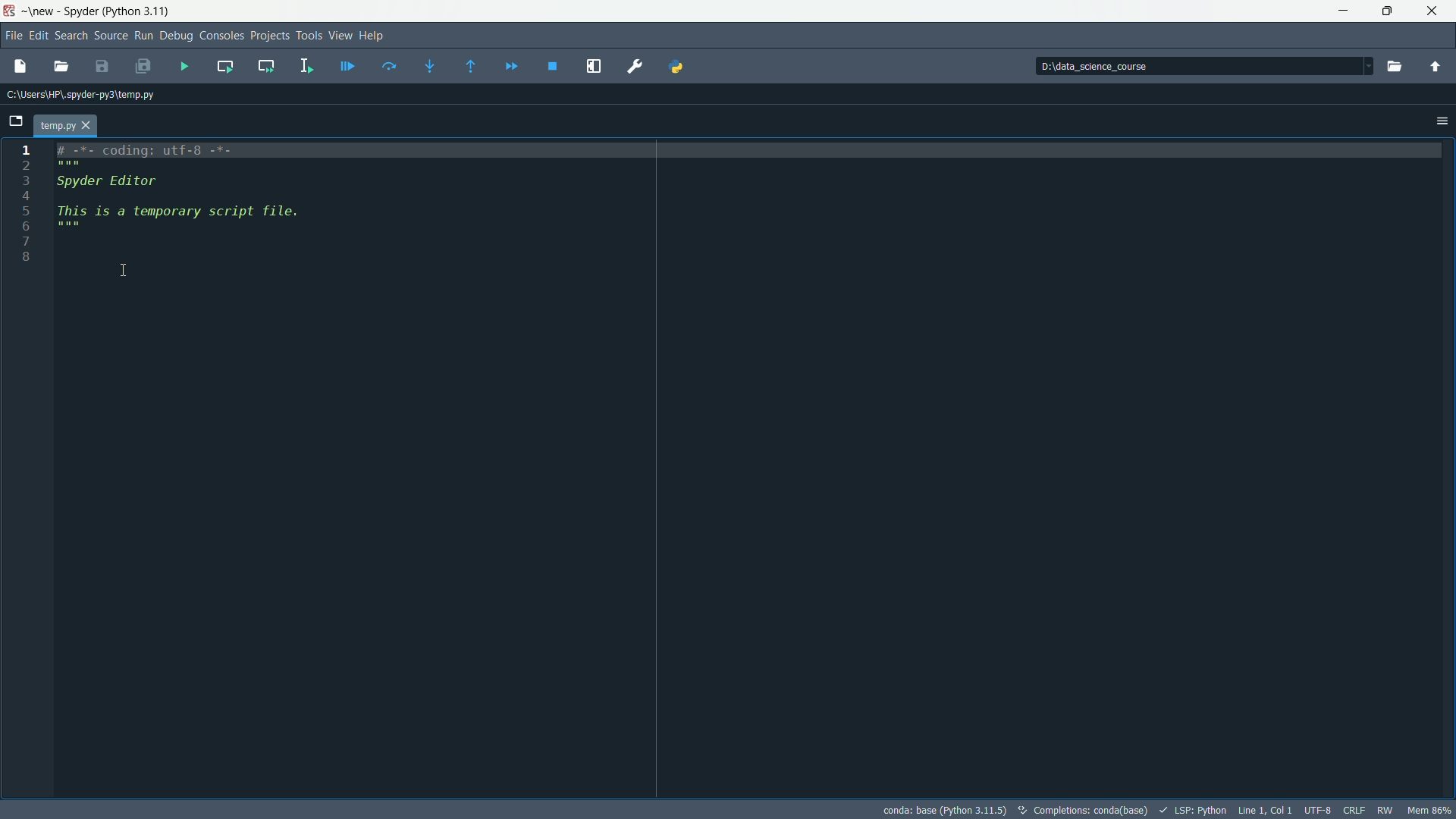 The width and height of the screenshot is (1456, 819). What do you see at coordinates (1264, 810) in the screenshot?
I see `cursor position` at bounding box center [1264, 810].